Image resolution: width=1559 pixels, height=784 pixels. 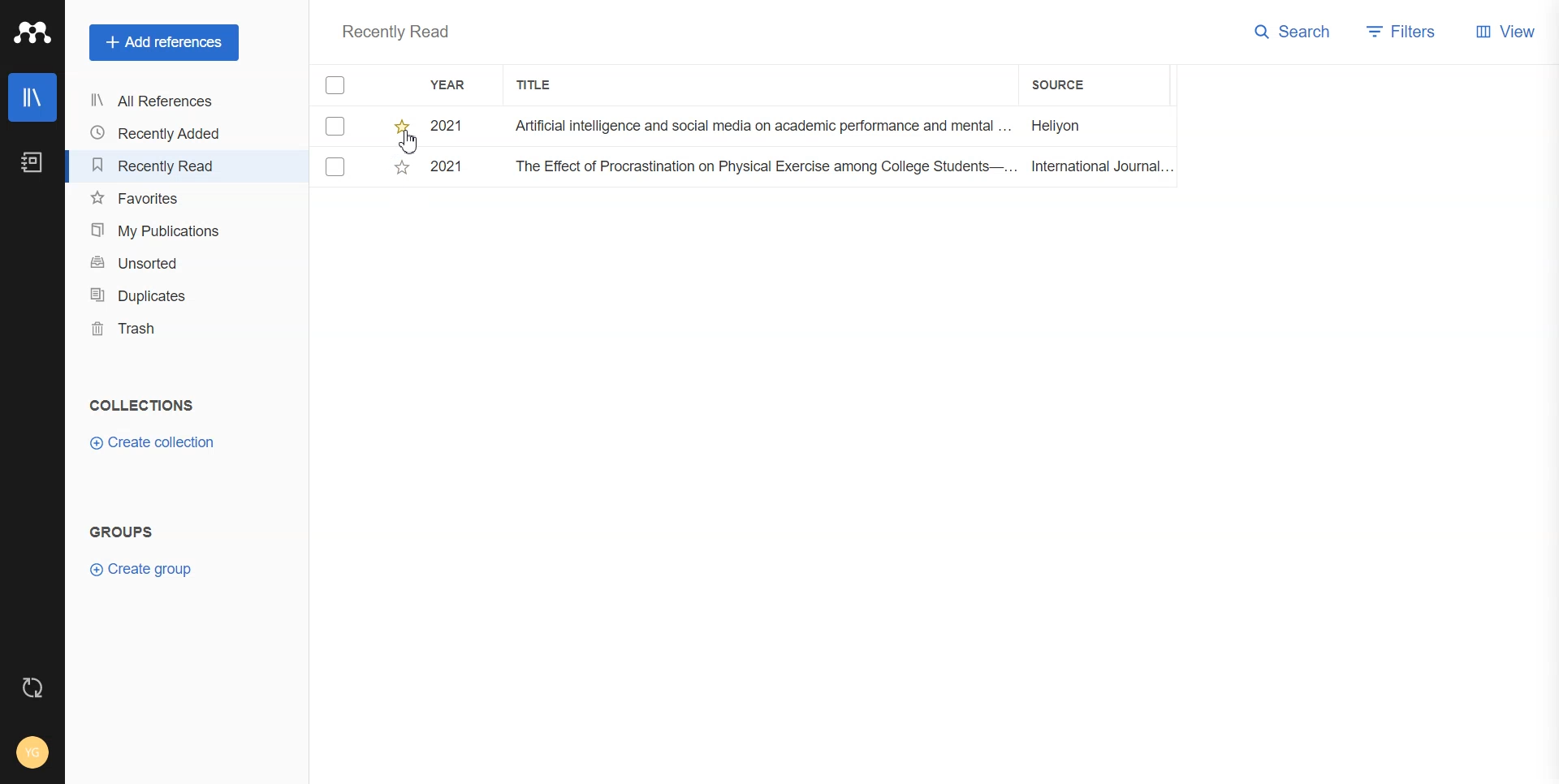 What do you see at coordinates (141, 406) in the screenshot?
I see `Text` at bounding box center [141, 406].